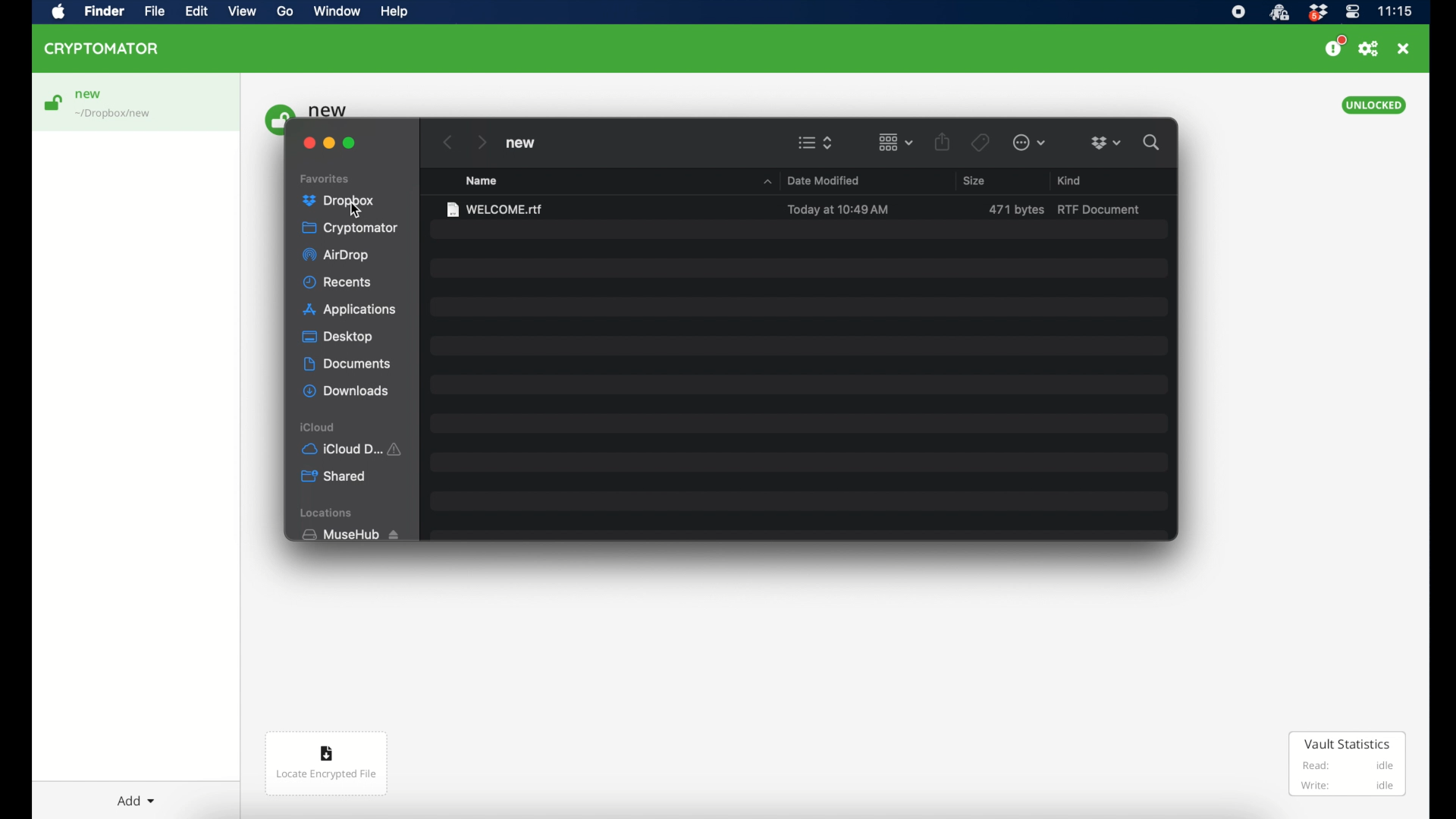 This screenshot has height=819, width=1456. What do you see at coordinates (942, 141) in the screenshot?
I see `share` at bounding box center [942, 141].